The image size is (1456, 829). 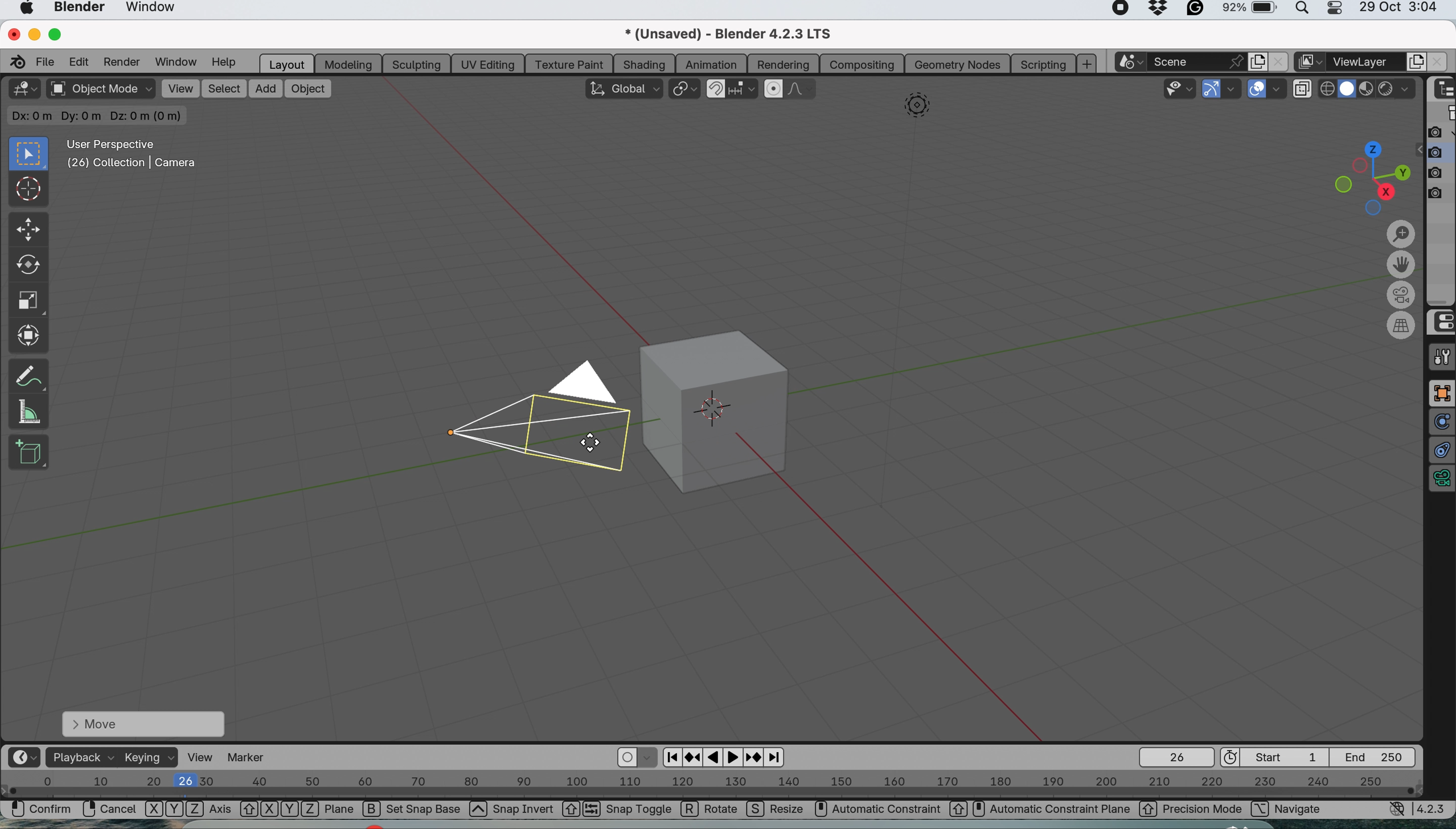 I want to click on rendering, so click(x=784, y=65).